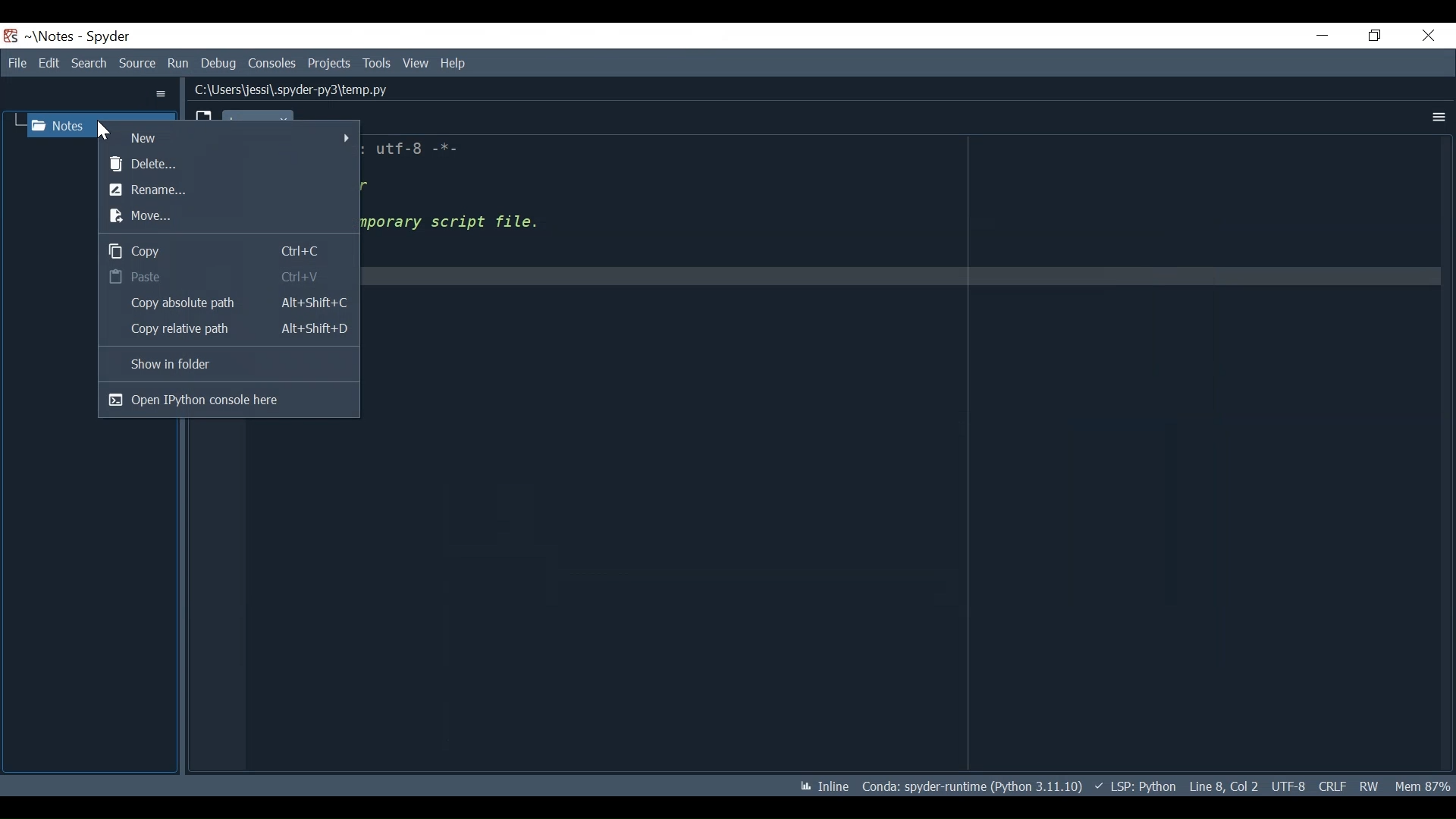 The height and width of the screenshot is (819, 1456). Describe the element at coordinates (179, 61) in the screenshot. I see `Run` at that location.